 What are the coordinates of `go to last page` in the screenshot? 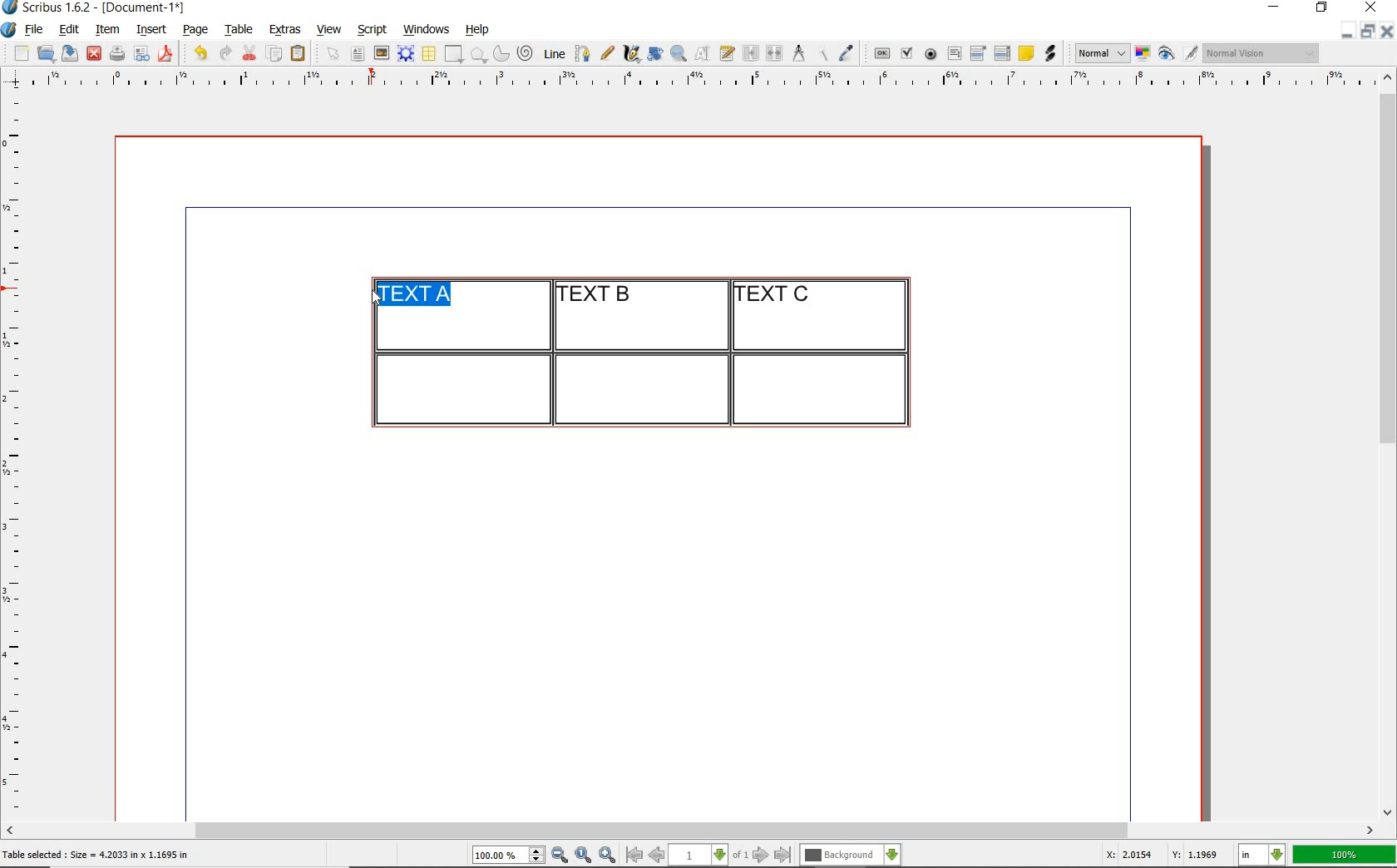 It's located at (783, 856).